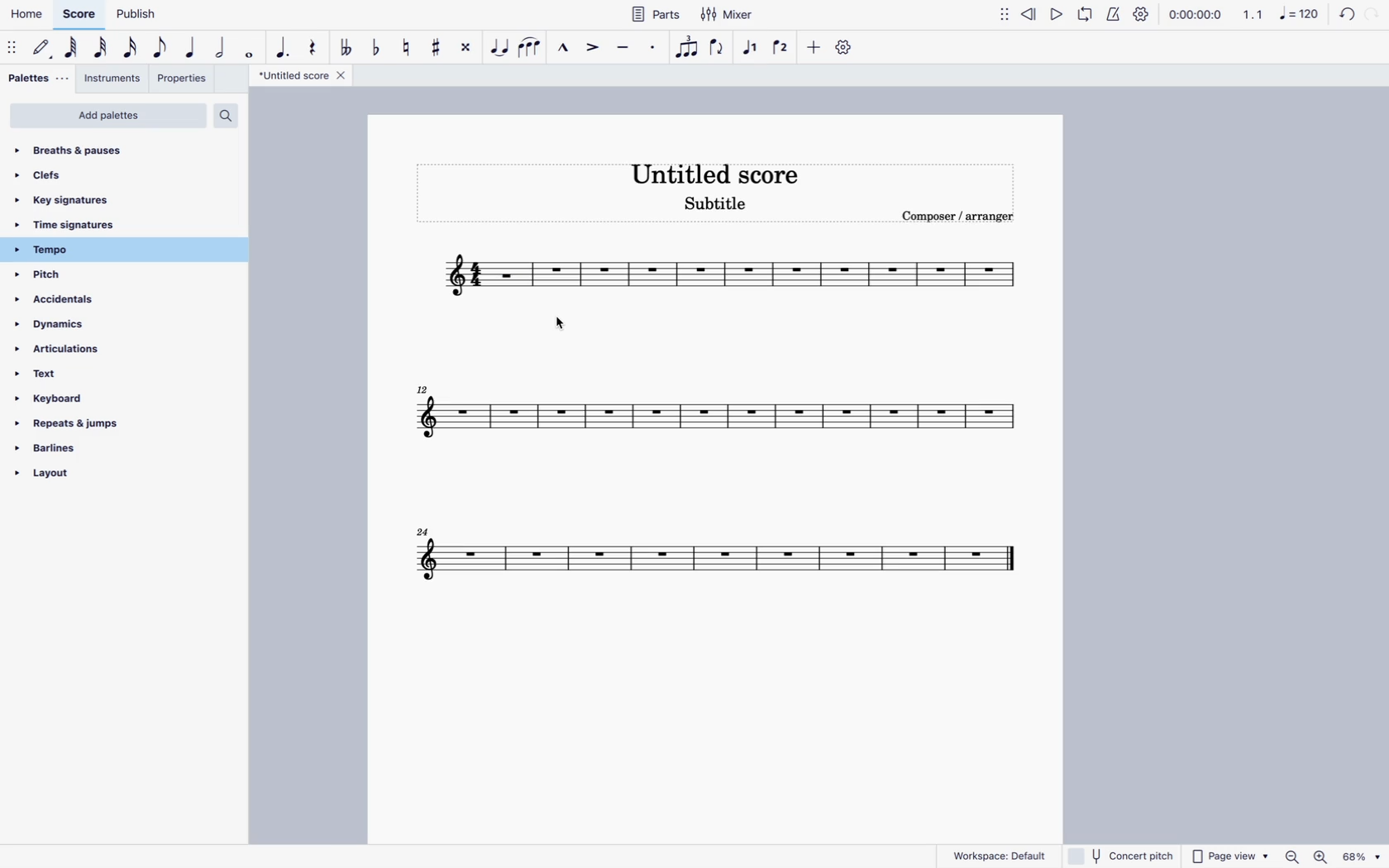 This screenshot has height=868, width=1389. What do you see at coordinates (282, 46) in the screenshot?
I see `augmentative dot` at bounding box center [282, 46].